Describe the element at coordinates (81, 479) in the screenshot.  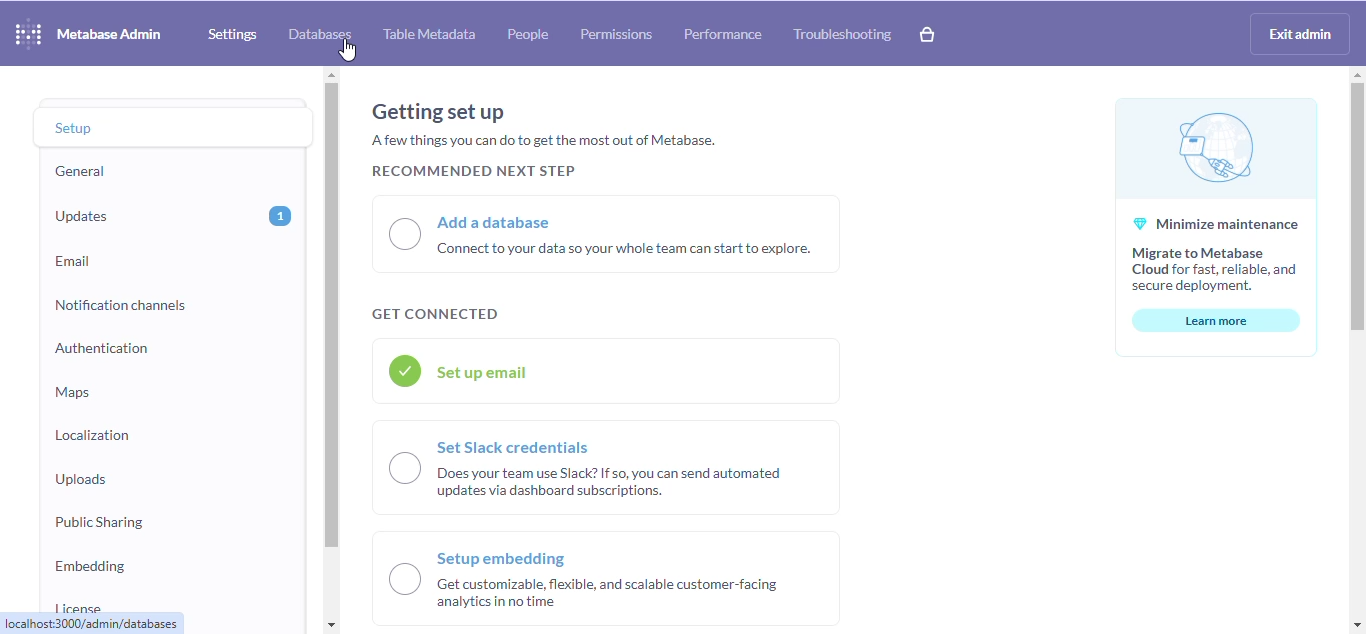
I see `uploads` at that location.